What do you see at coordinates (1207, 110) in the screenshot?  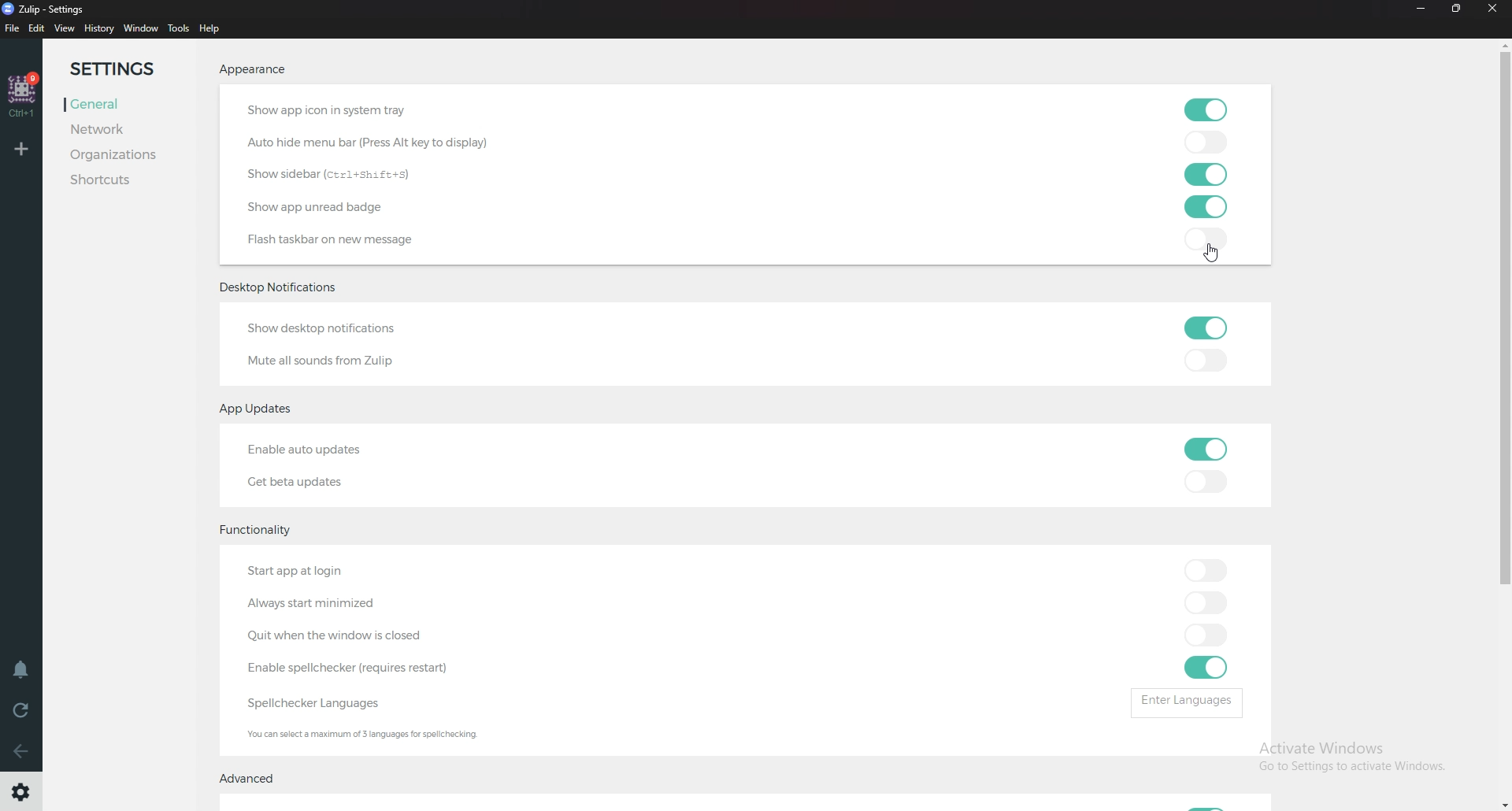 I see `toggle` at bounding box center [1207, 110].